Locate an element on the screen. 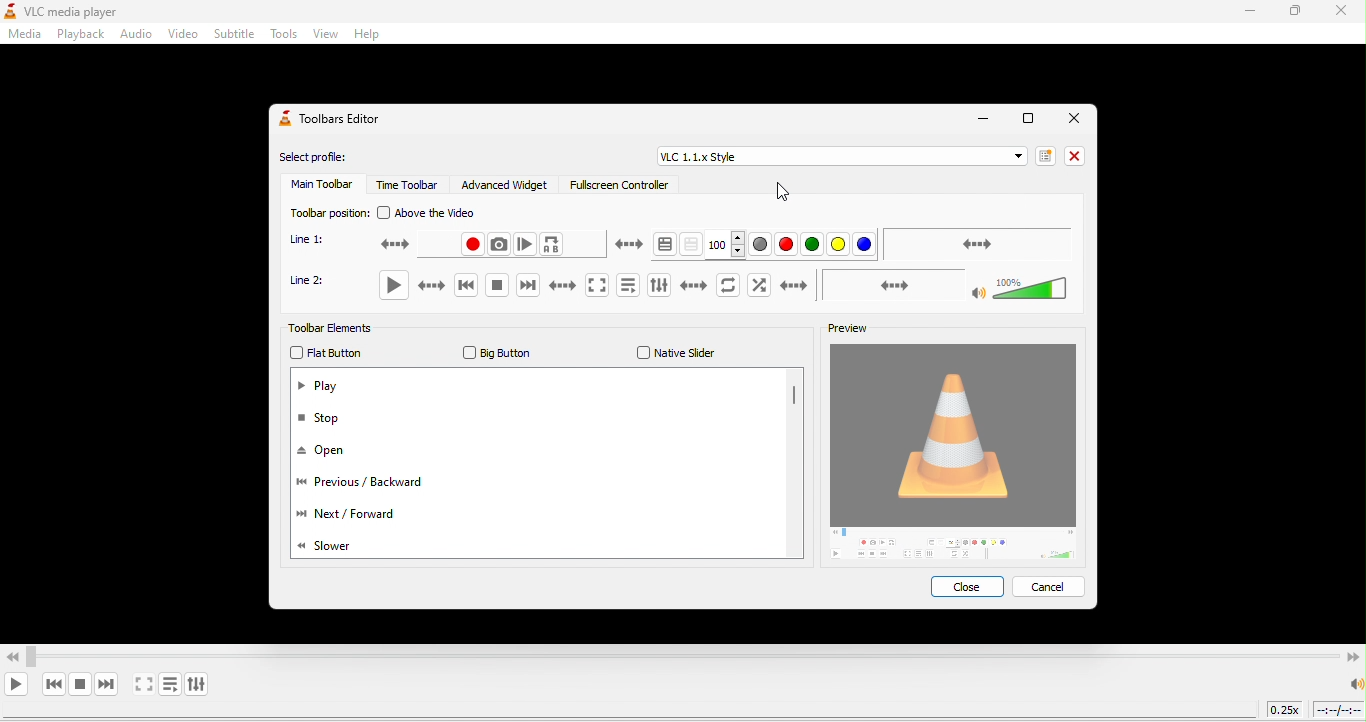  show extended settings is located at coordinates (200, 682).